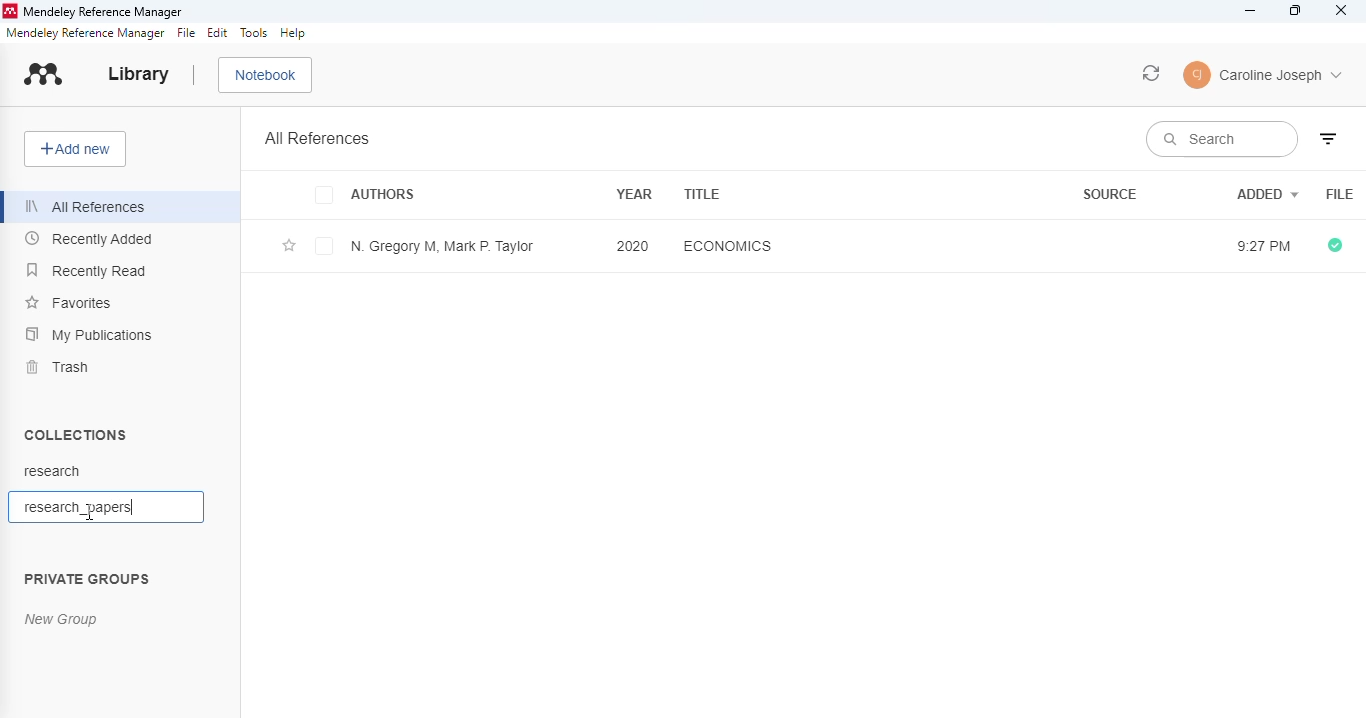 The height and width of the screenshot is (718, 1366). What do you see at coordinates (325, 248) in the screenshot?
I see `select` at bounding box center [325, 248].